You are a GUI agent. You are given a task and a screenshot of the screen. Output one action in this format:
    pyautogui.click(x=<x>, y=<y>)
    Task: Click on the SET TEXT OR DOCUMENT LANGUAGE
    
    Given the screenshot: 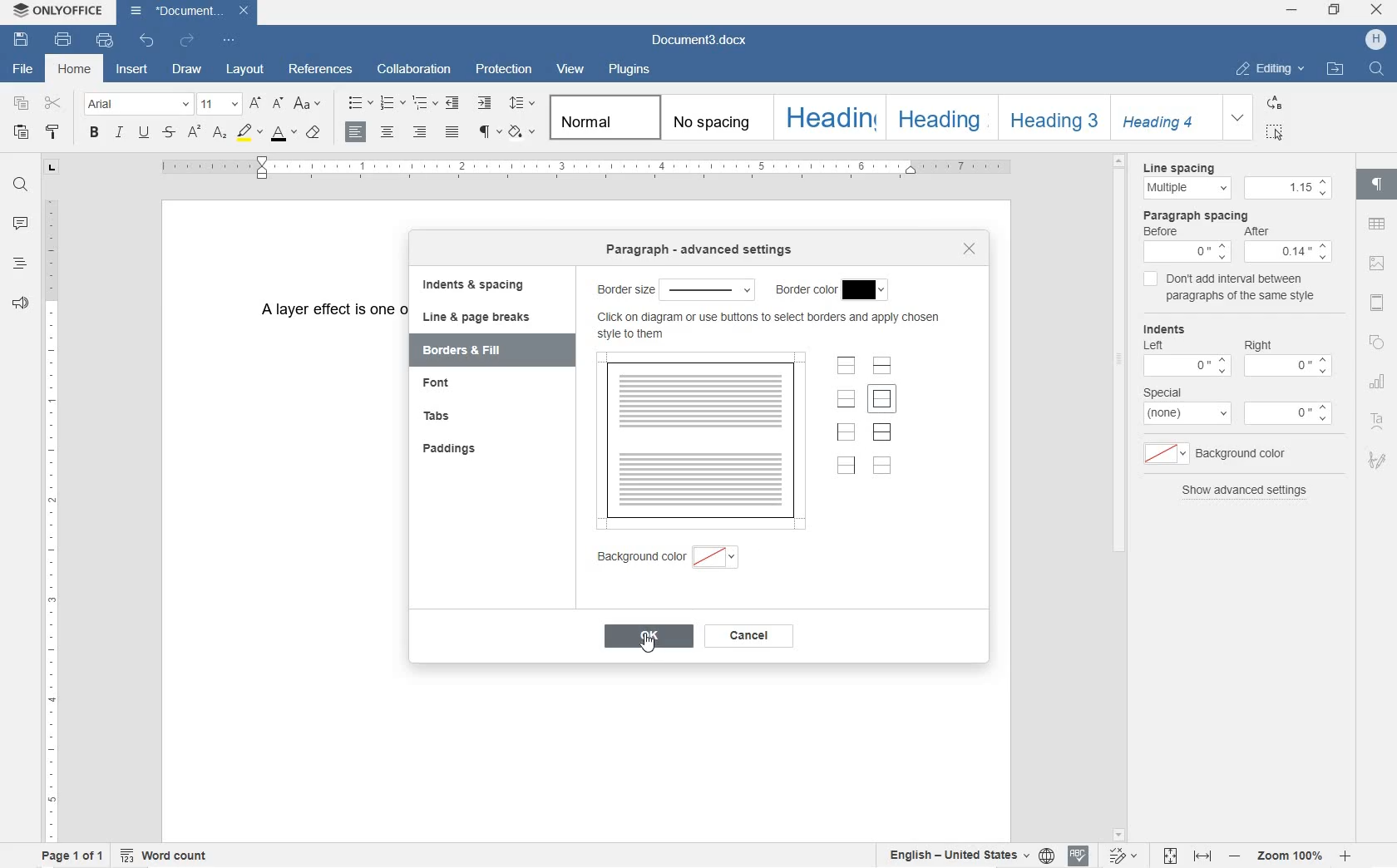 What is the action you would take?
    pyautogui.click(x=970, y=856)
    